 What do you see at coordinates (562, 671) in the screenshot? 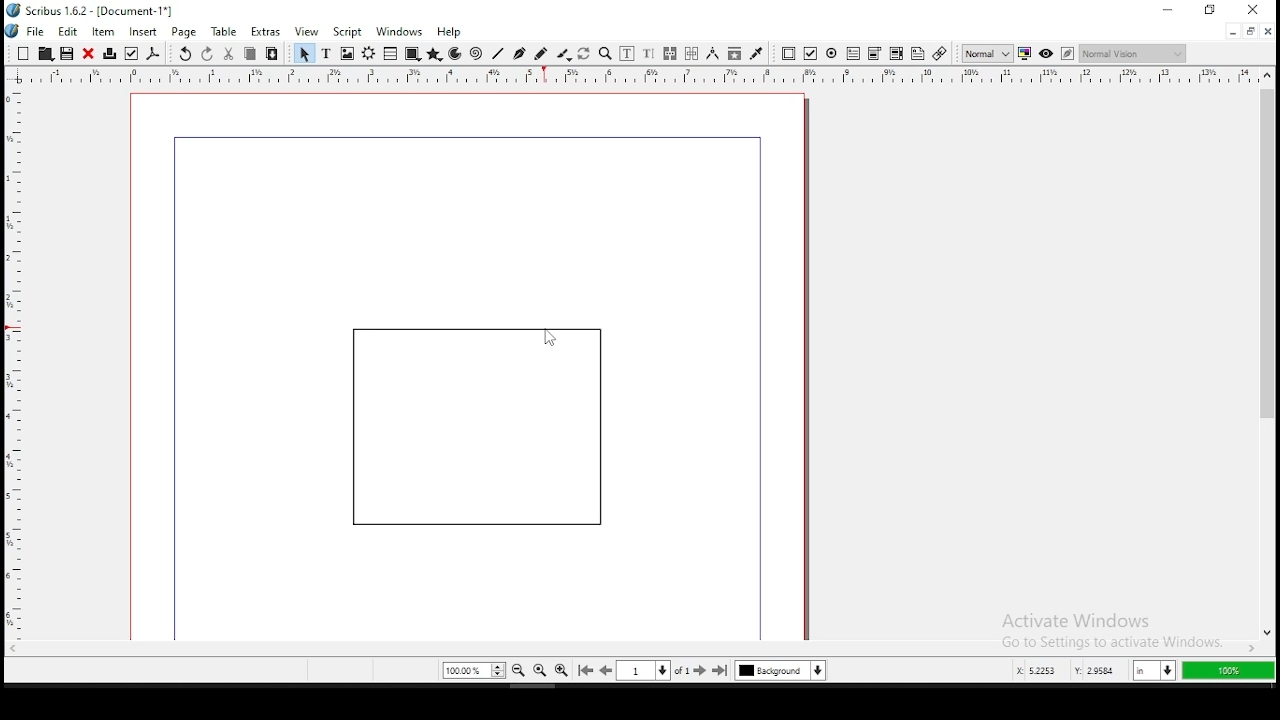
I see `zoom in` at bounding box center [562, 671].